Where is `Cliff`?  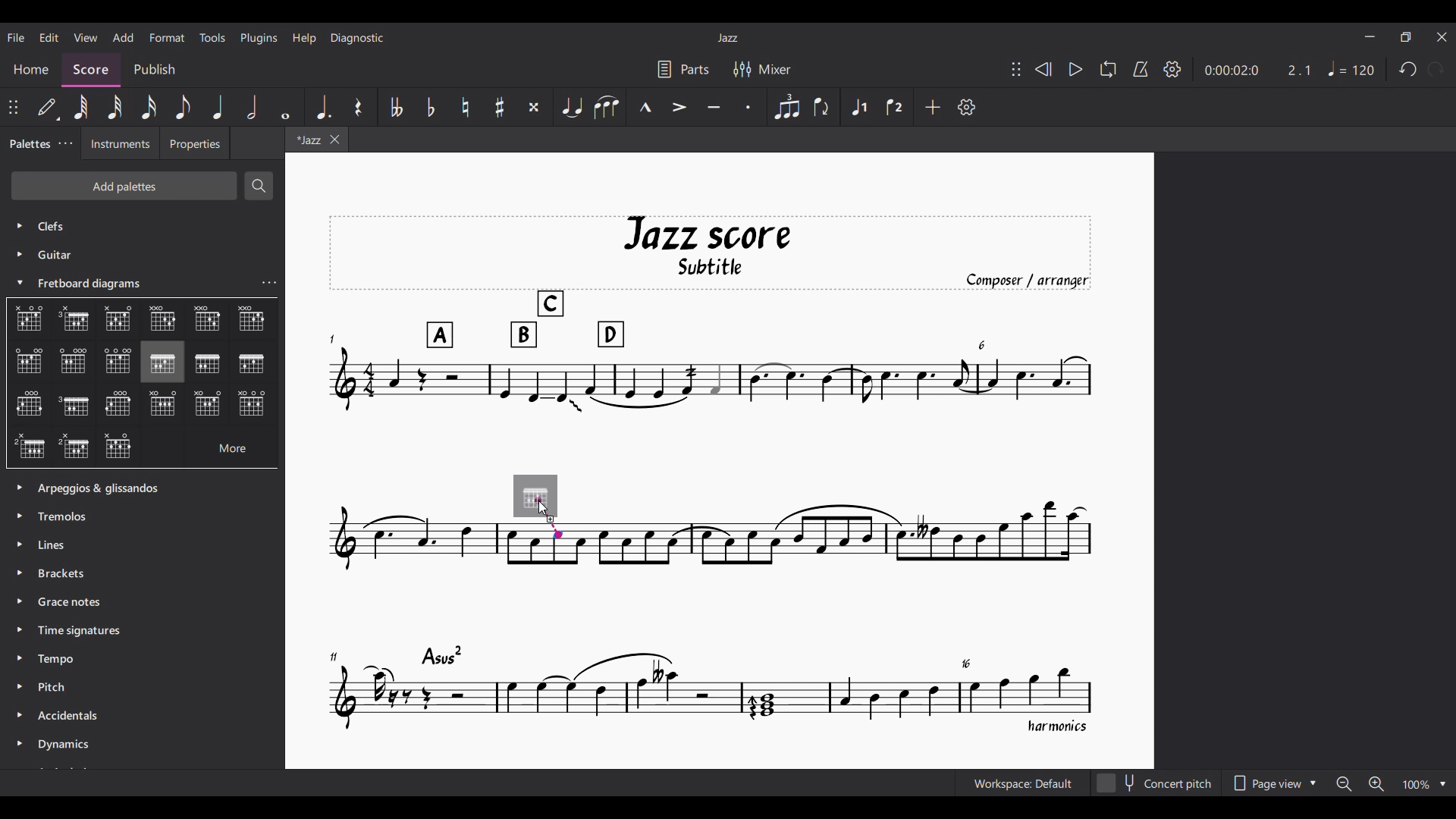
Cliff is located at coordinates (39, 221).